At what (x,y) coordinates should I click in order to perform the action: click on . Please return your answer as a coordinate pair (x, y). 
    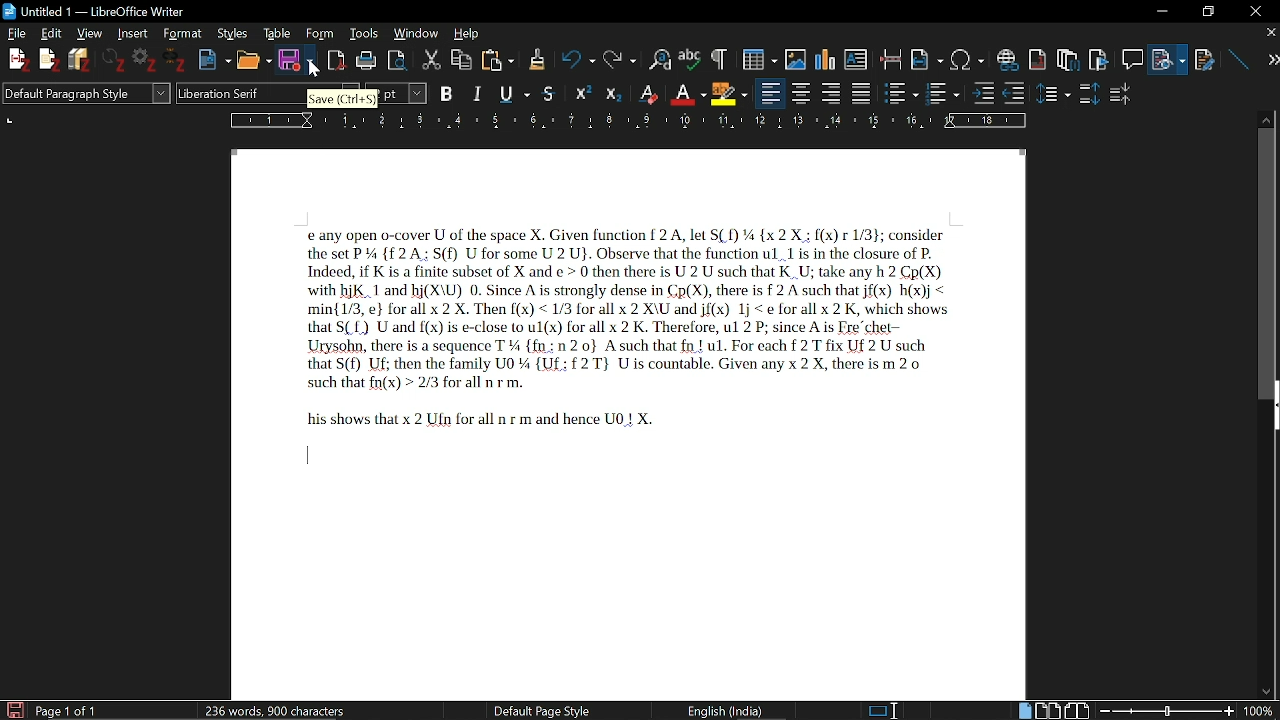
    Looking at the image, I should click on (1055, 93).